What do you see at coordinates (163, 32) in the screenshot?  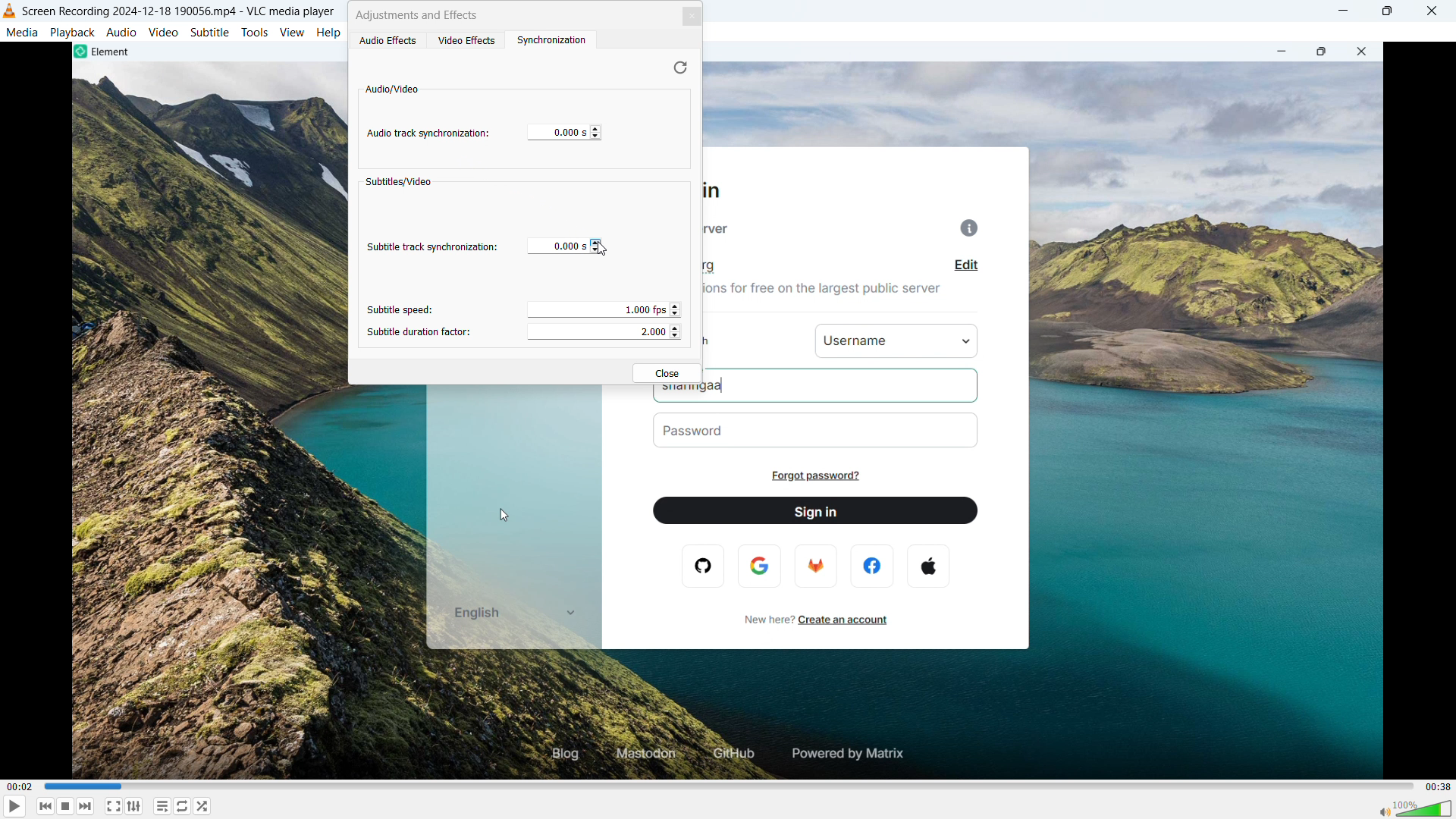 I see `video` at bounding box center [163, 32].